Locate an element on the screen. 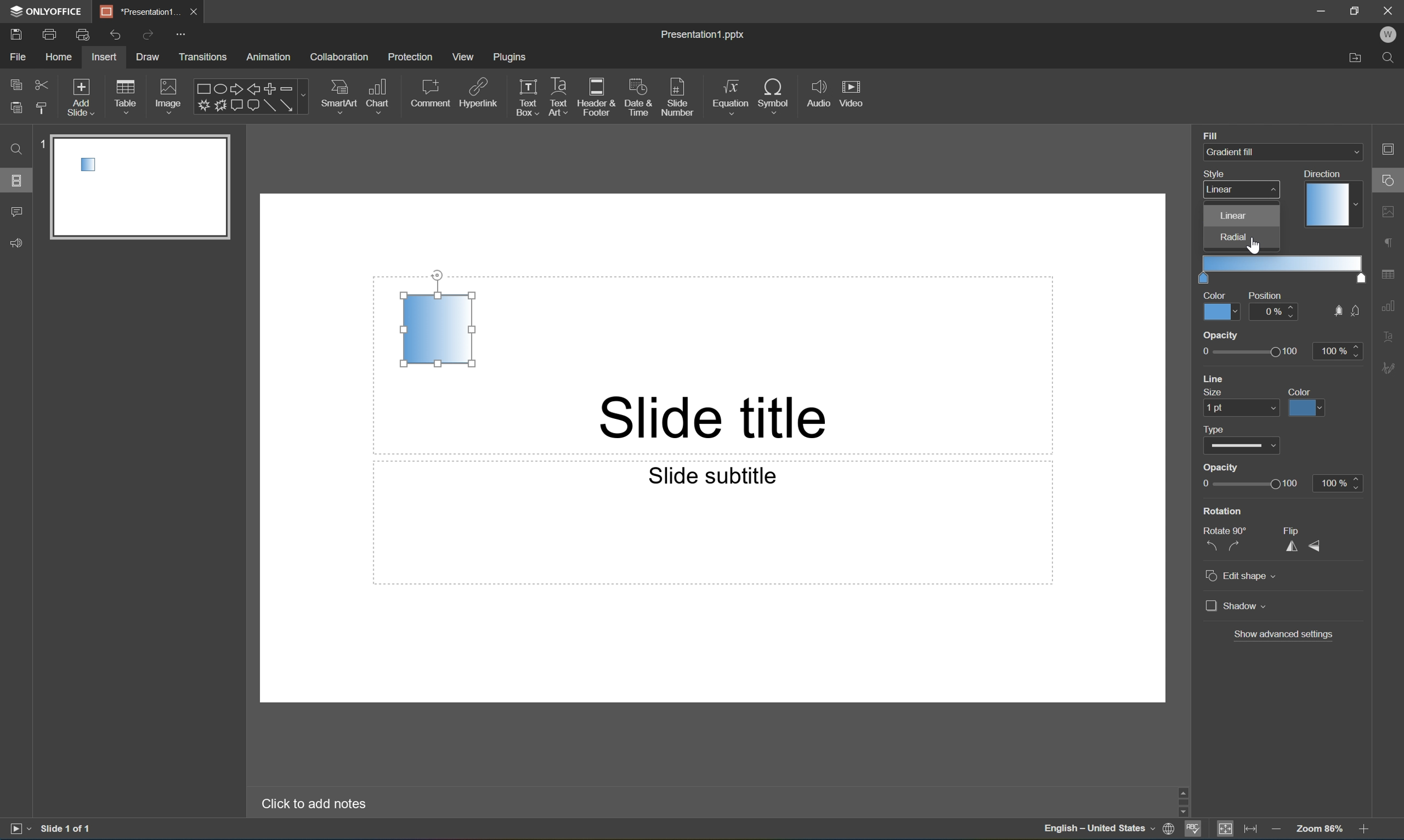 This screenshot has width=1404, height=840. Fill is located at coordinates (1210, 135).